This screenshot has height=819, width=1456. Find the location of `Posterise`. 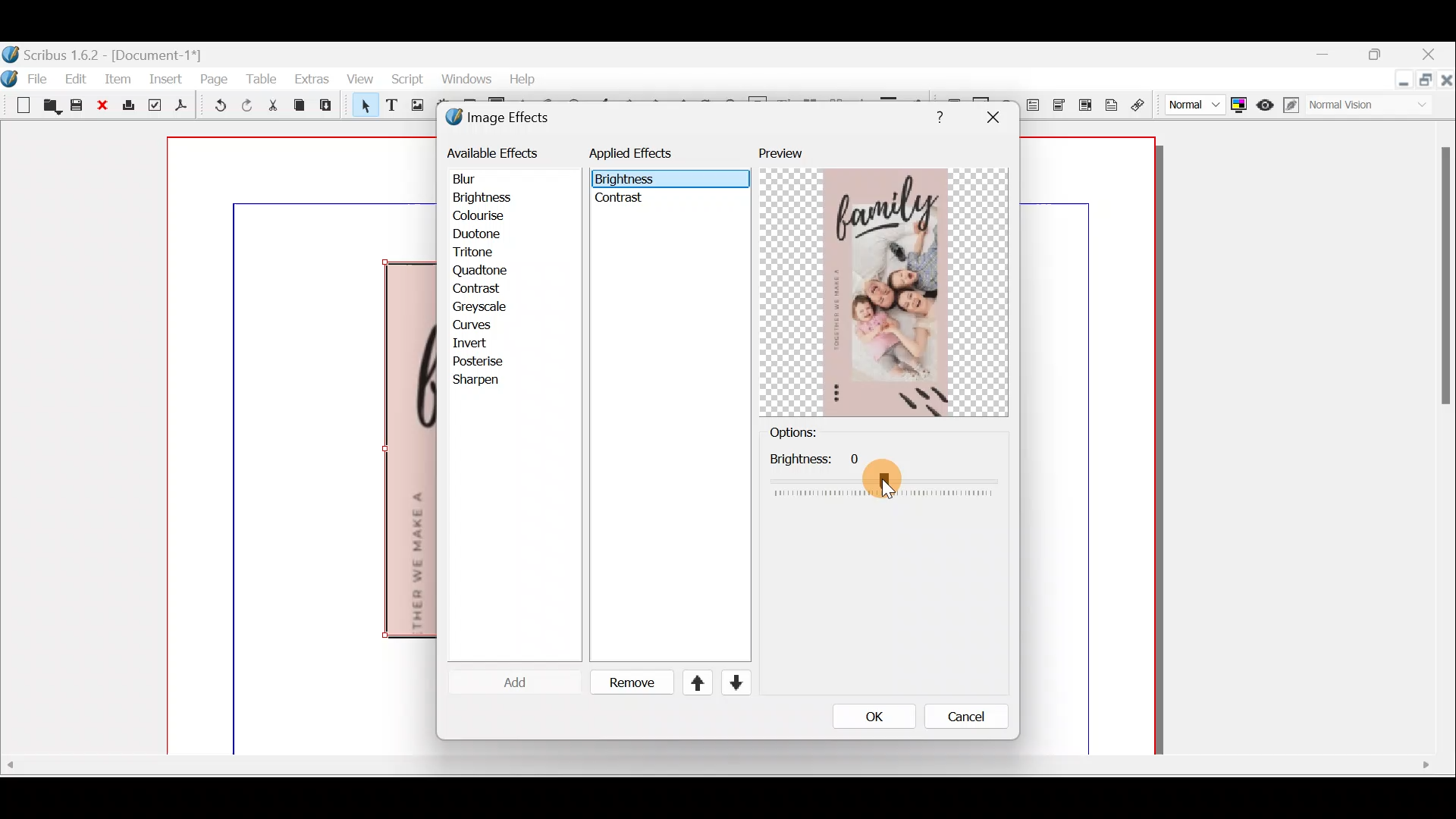

Posterise is located at coordinates (488, 360).